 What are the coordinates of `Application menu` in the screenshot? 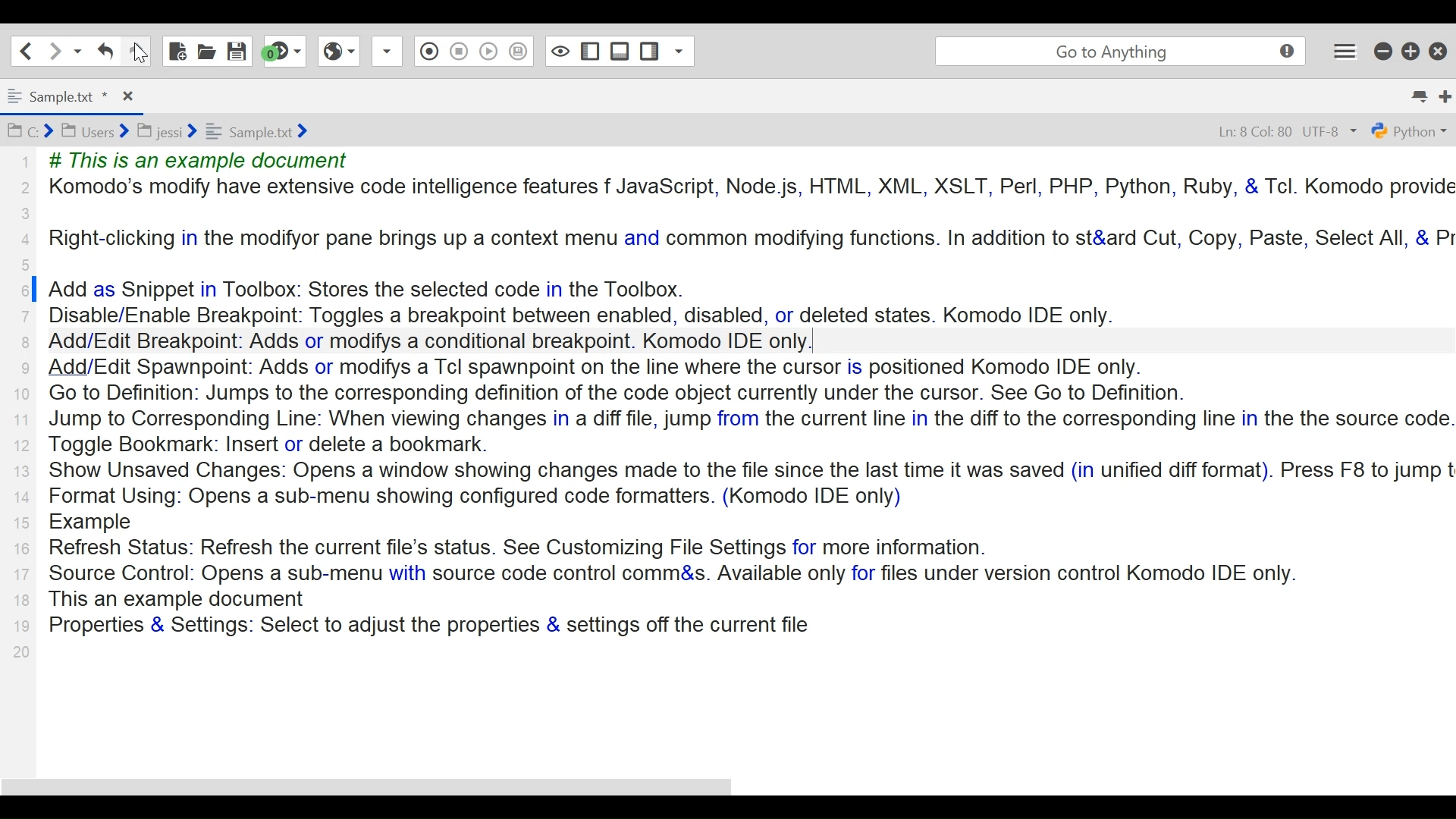 It's located at (1345, 51).